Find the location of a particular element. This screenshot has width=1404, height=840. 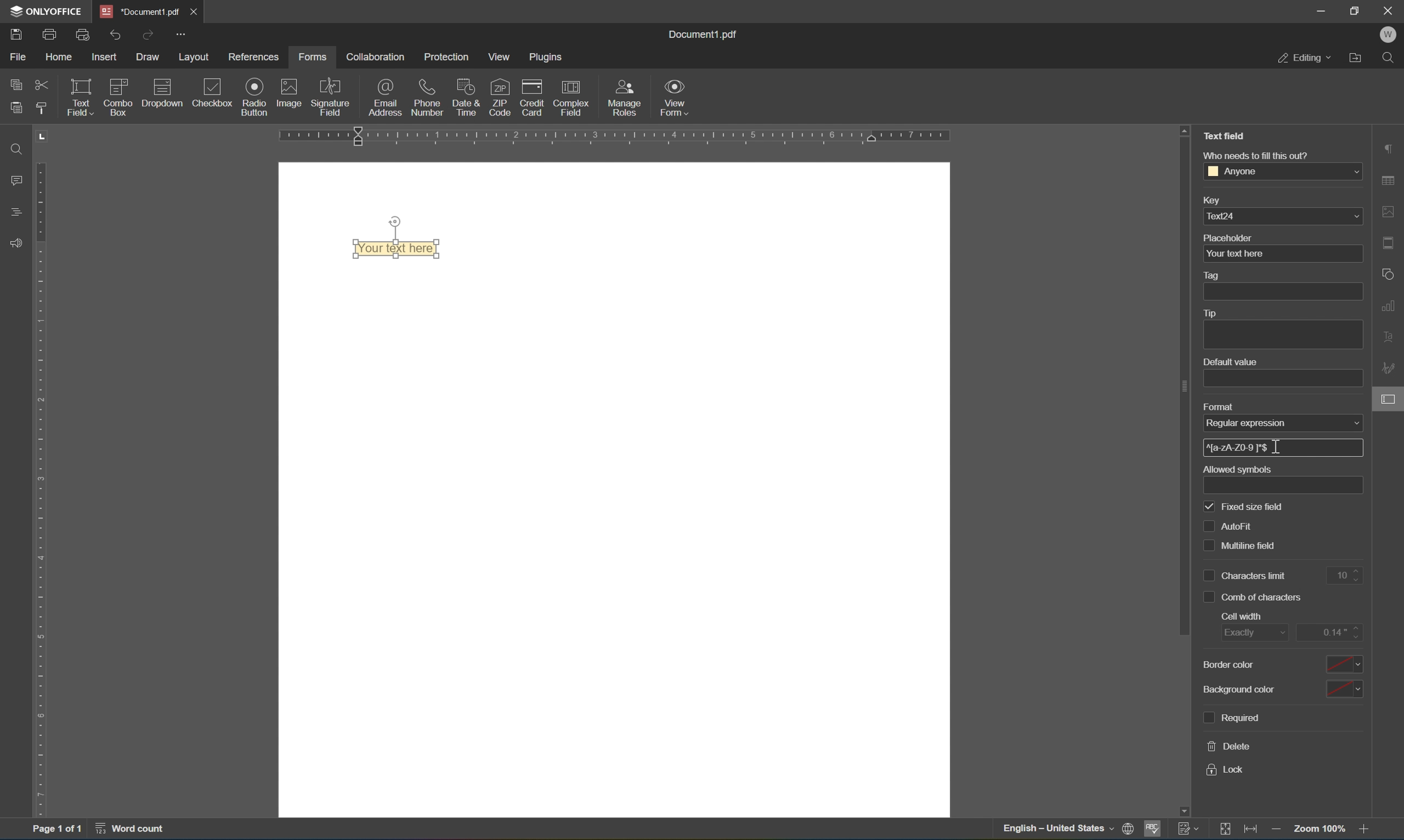

protection is located at coordinates (447, 57).